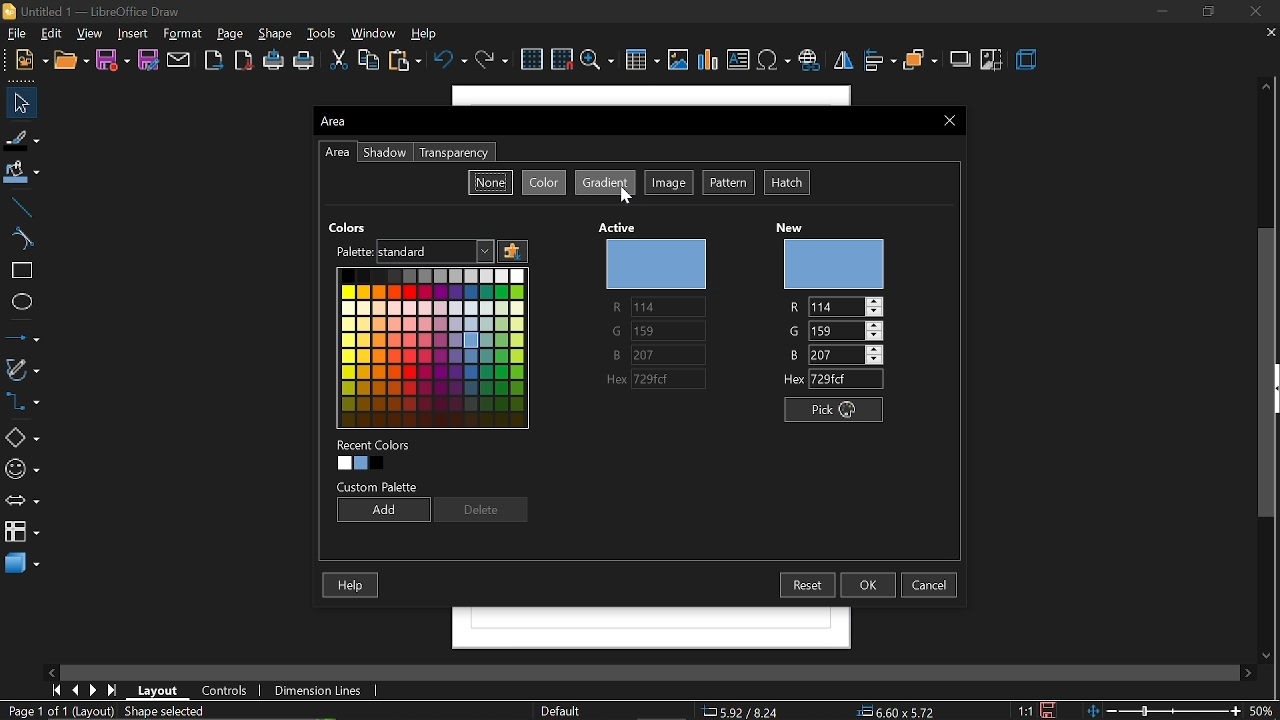 The image size is (1280, 720). What do you see at coordinates (738, 61) in the screenshot?
I see `Insert text` at bounding box center [738, 61].